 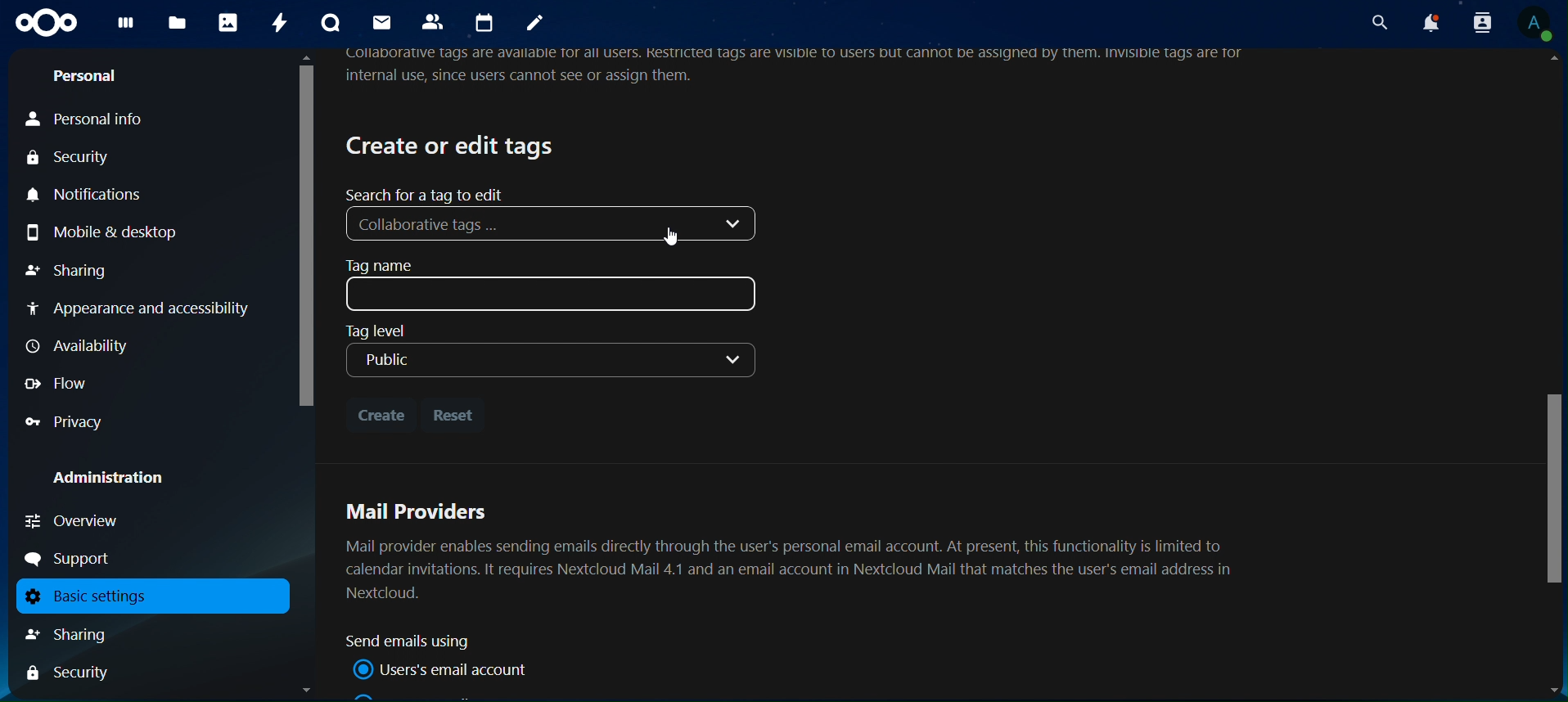 I want to click on search for a tag to edit, so click(x=428, y=194).